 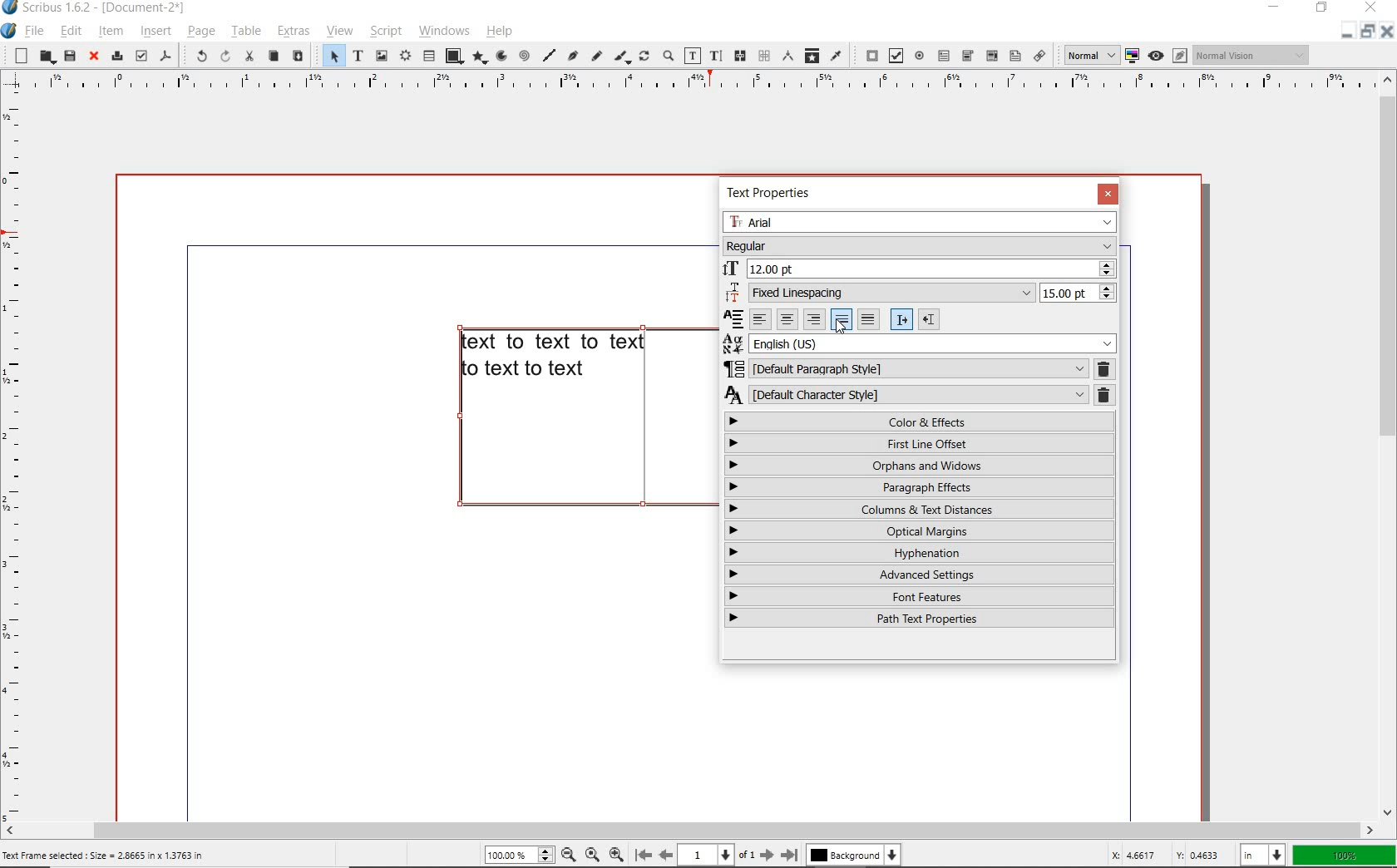 What do you see at coordinates (274, 57) in the screenshot?
I see `copy` at bounding box center [274, 57].